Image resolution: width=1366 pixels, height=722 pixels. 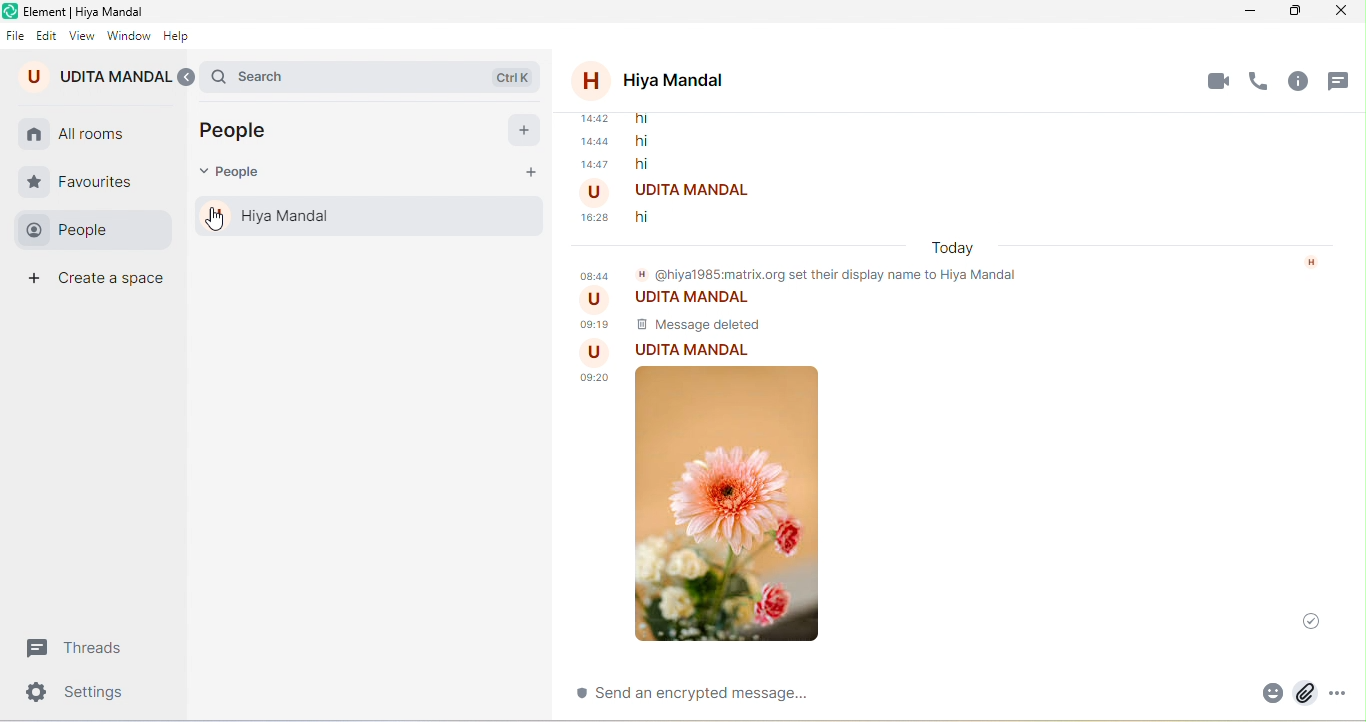 I want to click on Time, so click(x=595, y=275).